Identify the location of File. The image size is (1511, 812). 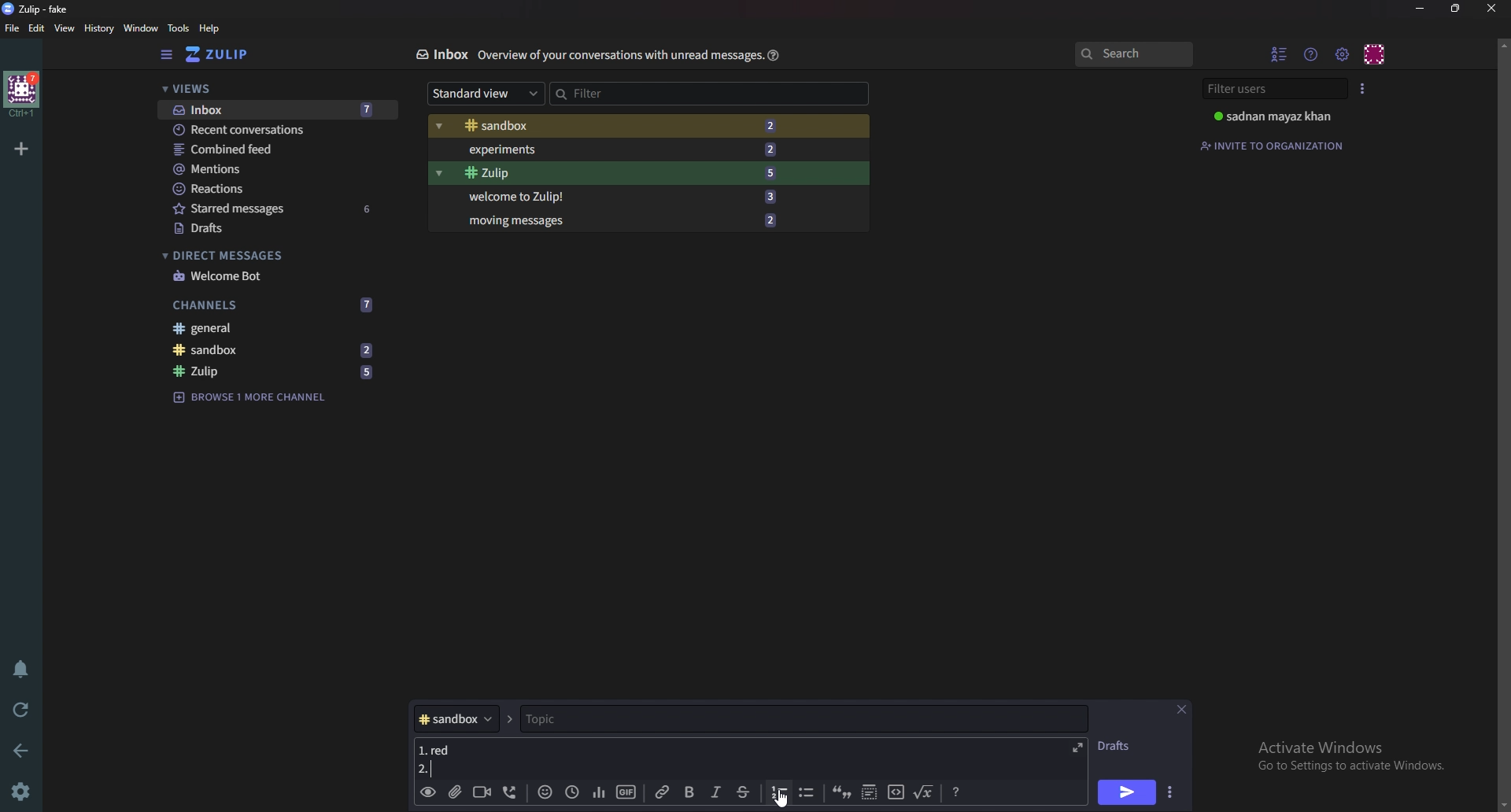
(13, 29).